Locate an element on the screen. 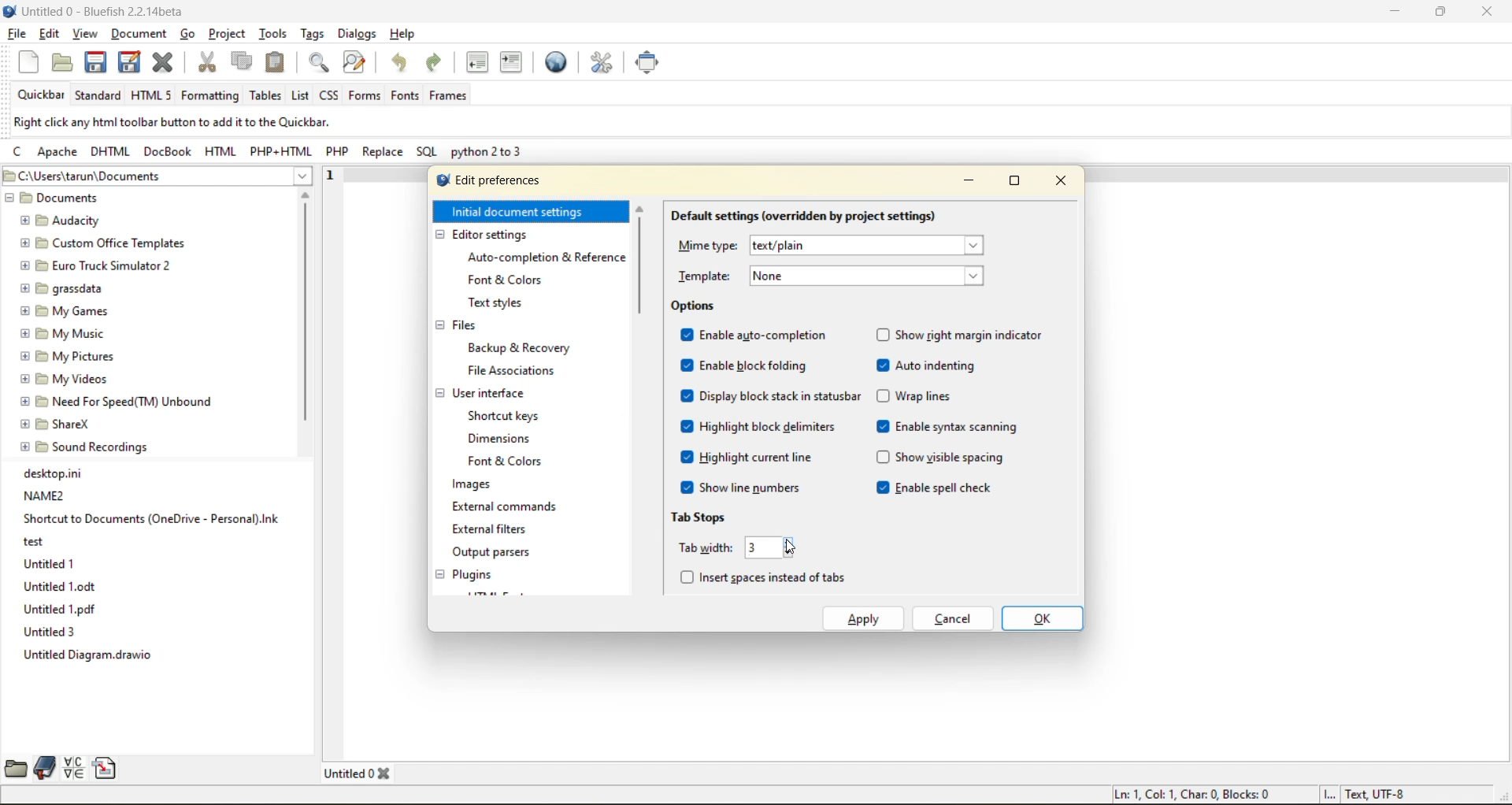 The width and height of the screenshot is (1512, 805). metadata is located at coordinates (170, 123).